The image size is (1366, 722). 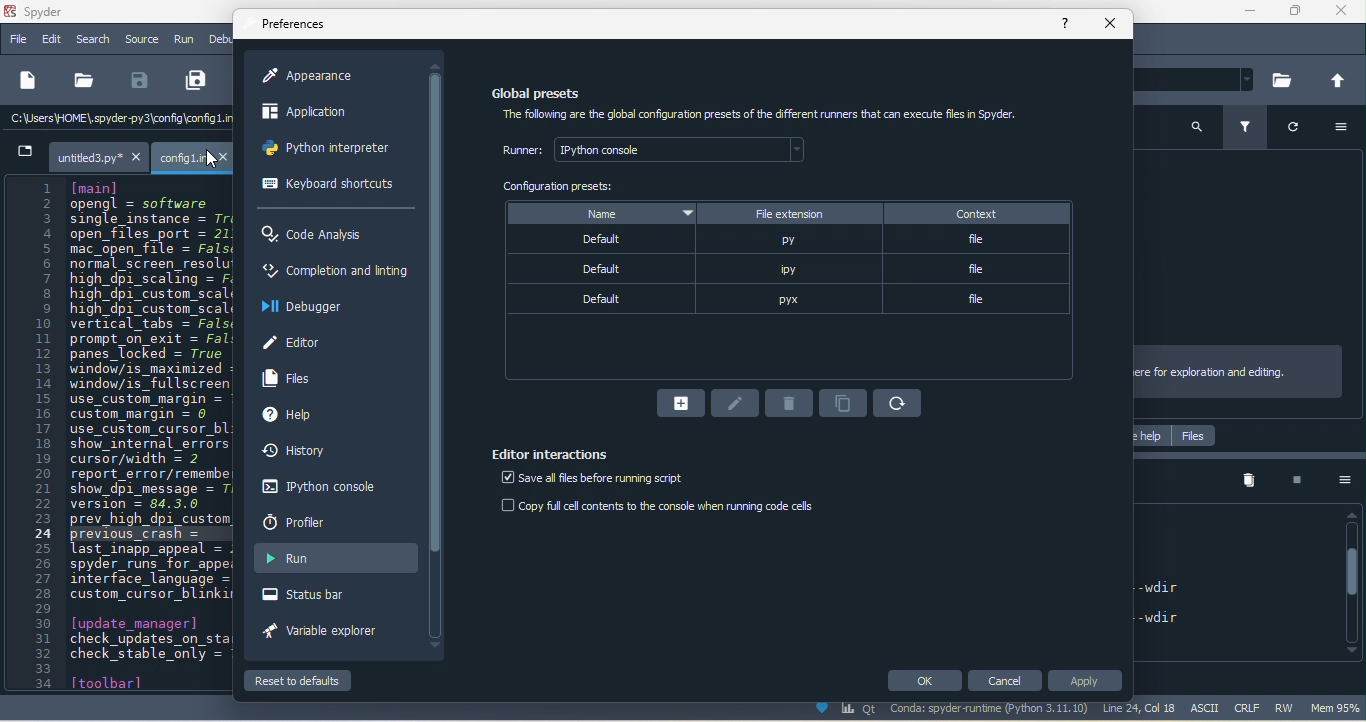 I want to click on run, so click(x=186, y=41).